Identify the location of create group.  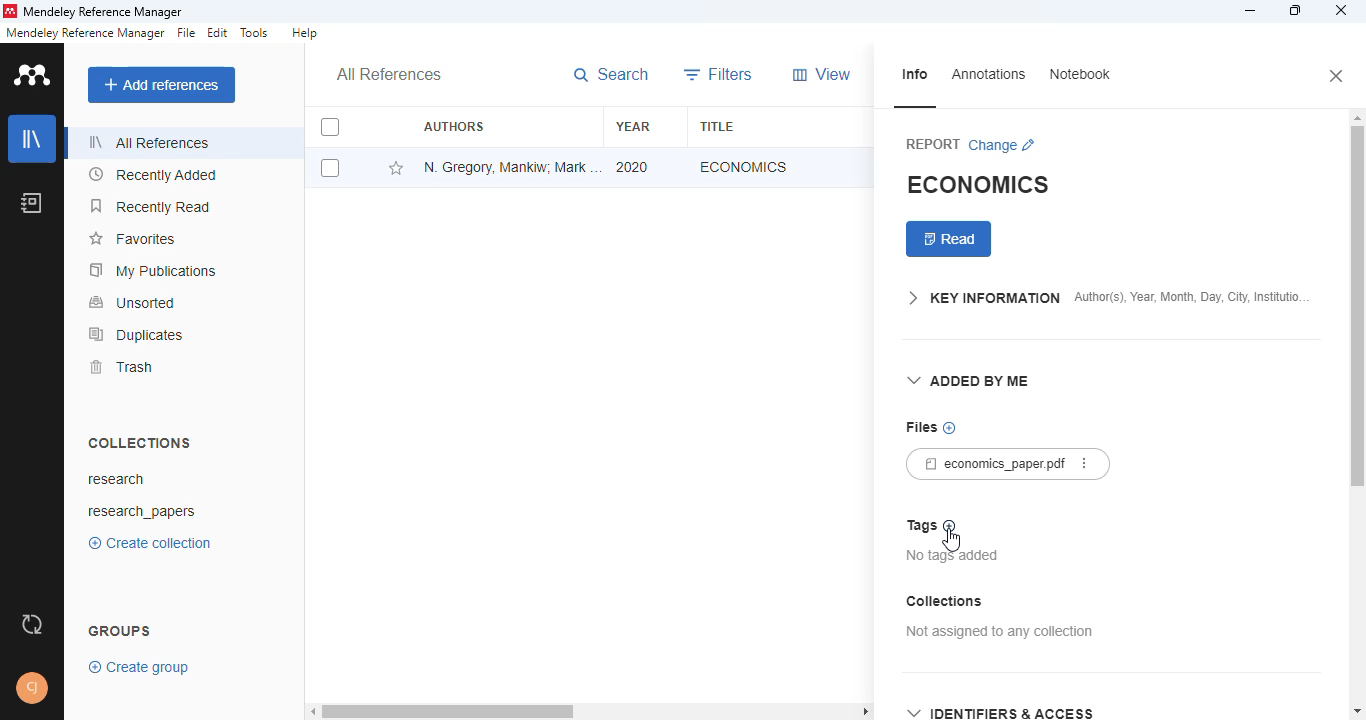
(139, 668).